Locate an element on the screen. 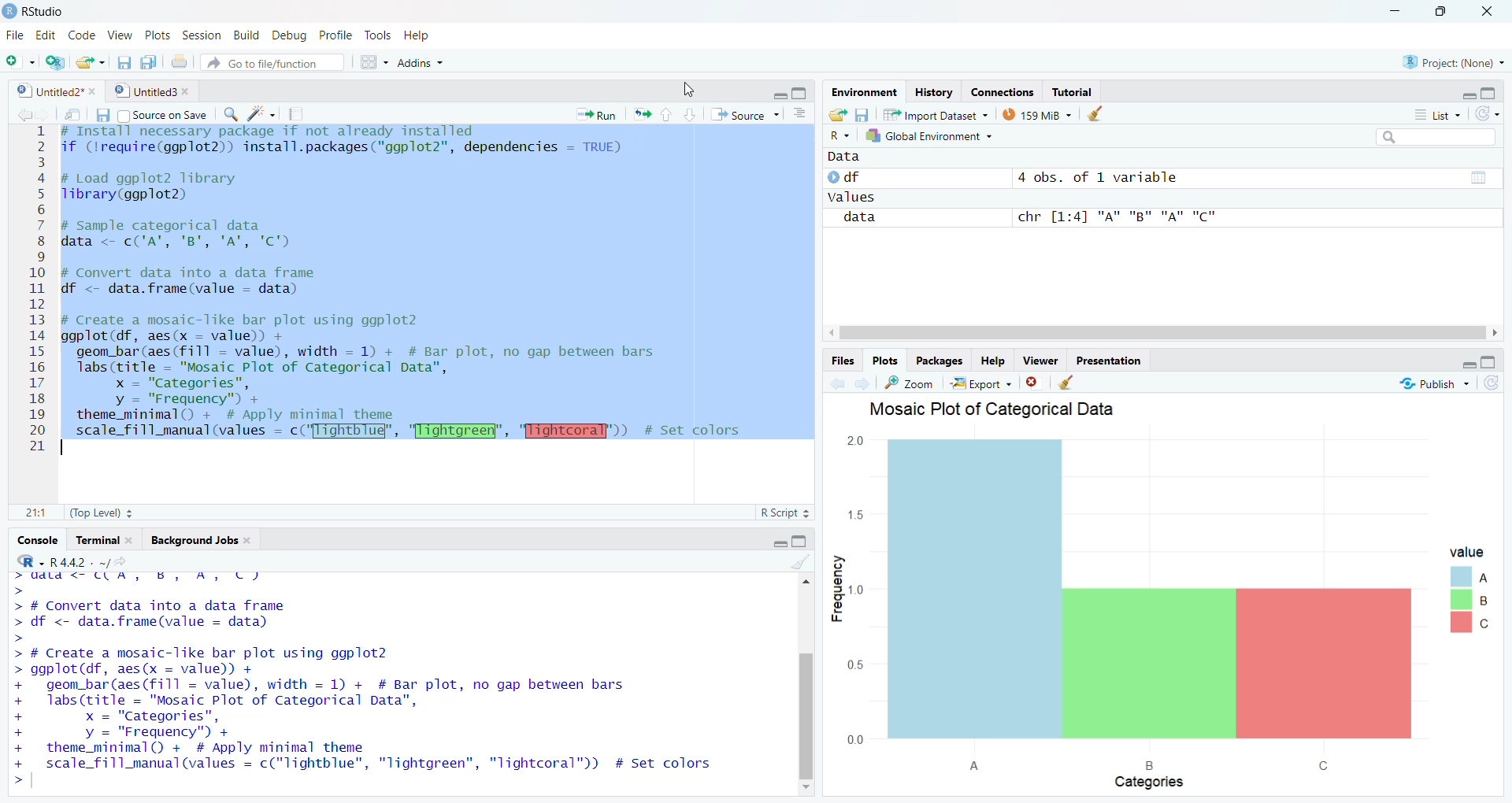 This screenshot has height=803, width=1512. Source is located at coordinates (743, 117).